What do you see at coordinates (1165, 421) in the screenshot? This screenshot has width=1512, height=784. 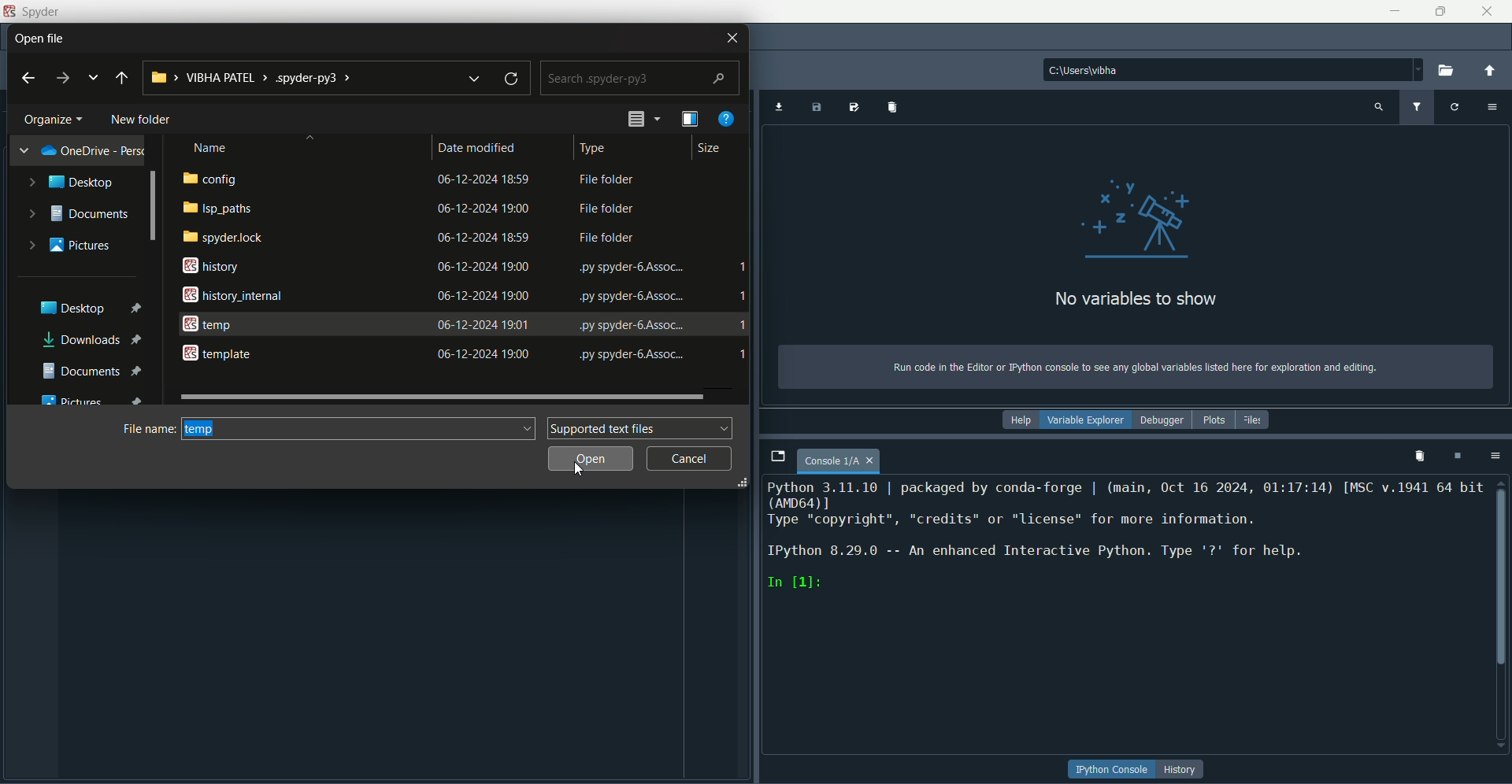 I see `debugger` at bounding box center [1165, 421].